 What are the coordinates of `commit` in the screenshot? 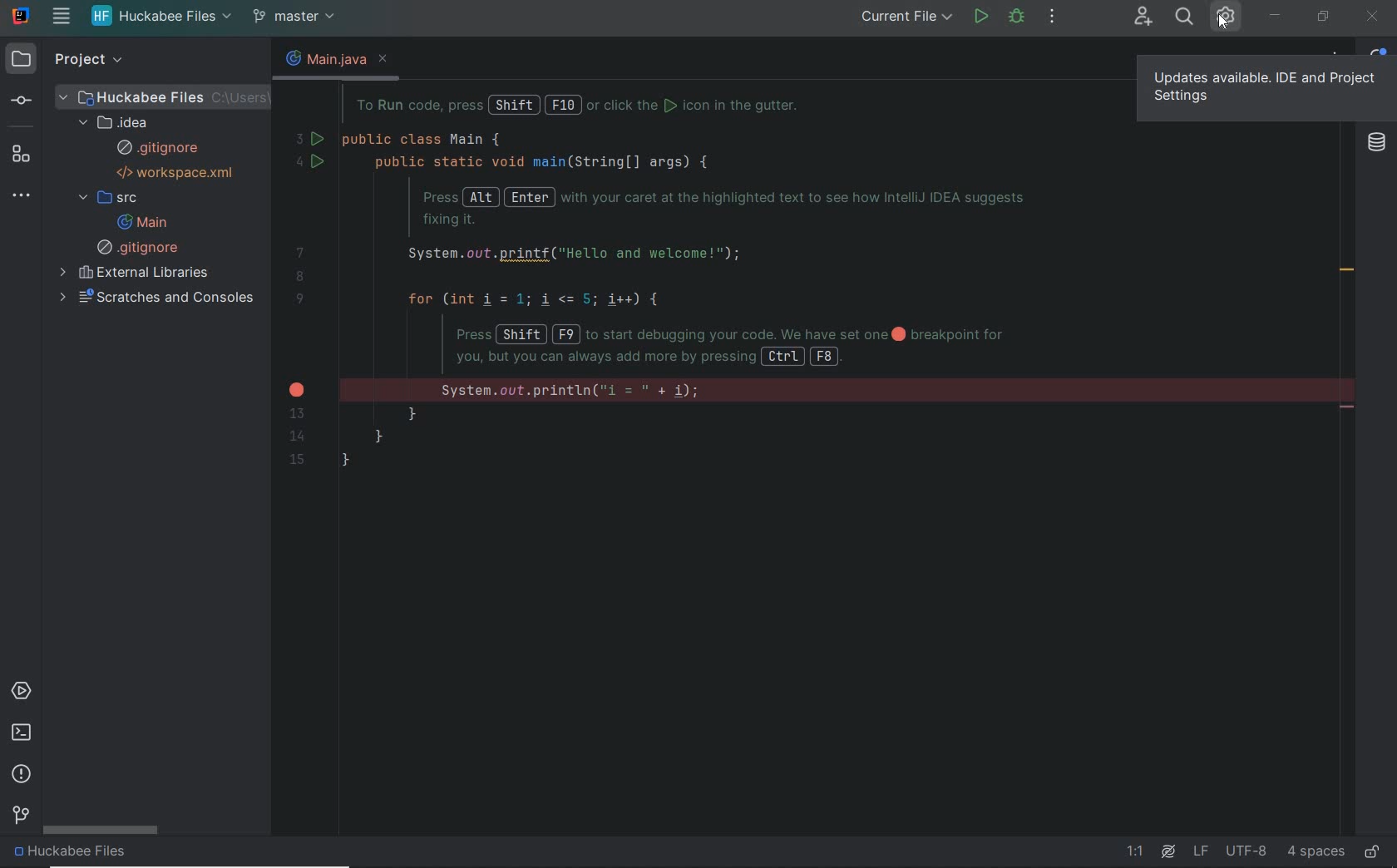 It's located at (30, 100).